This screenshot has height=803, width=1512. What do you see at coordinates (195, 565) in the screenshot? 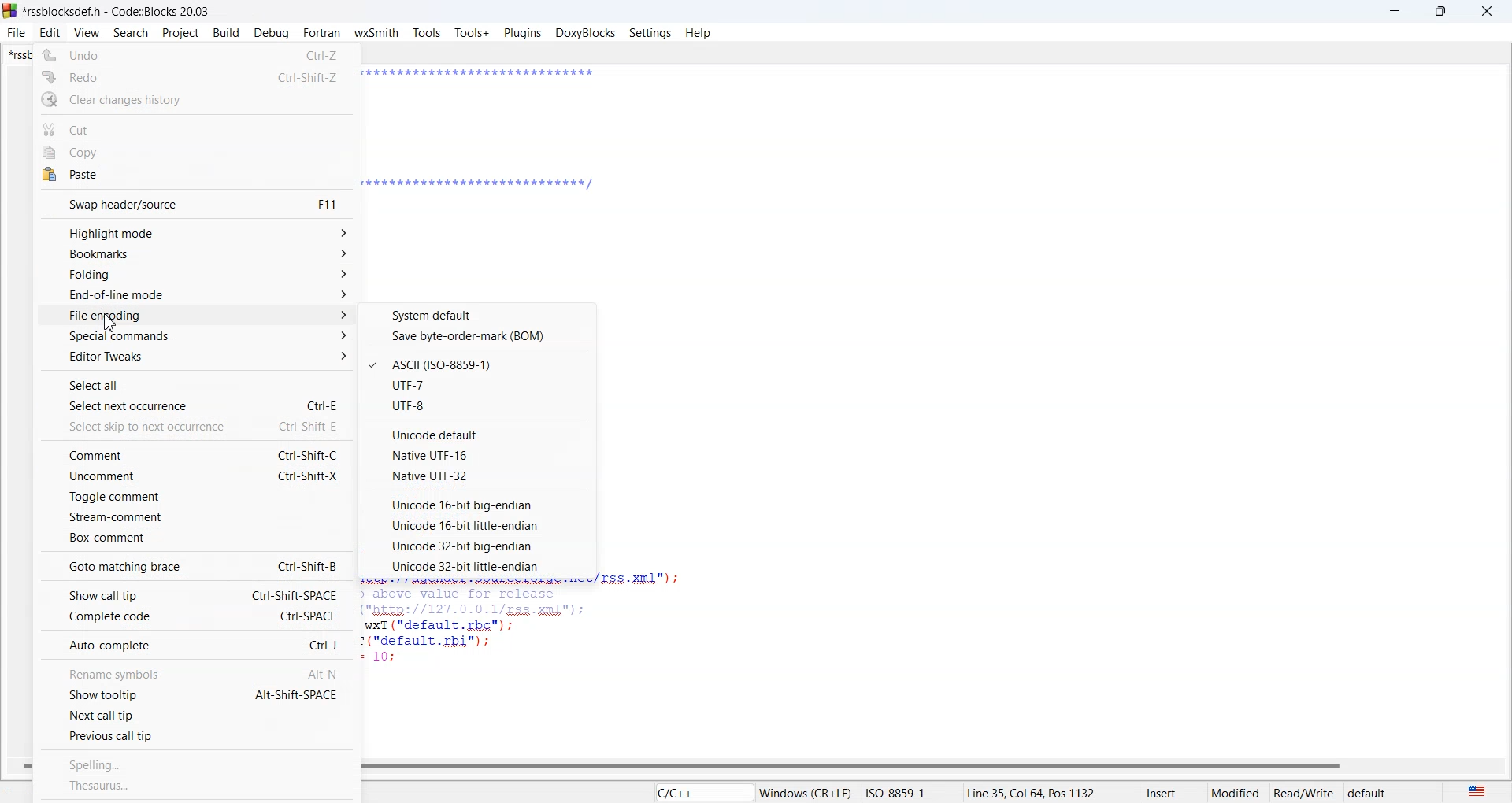
I see `Goto matching brace` at bounding box center [195, 565].